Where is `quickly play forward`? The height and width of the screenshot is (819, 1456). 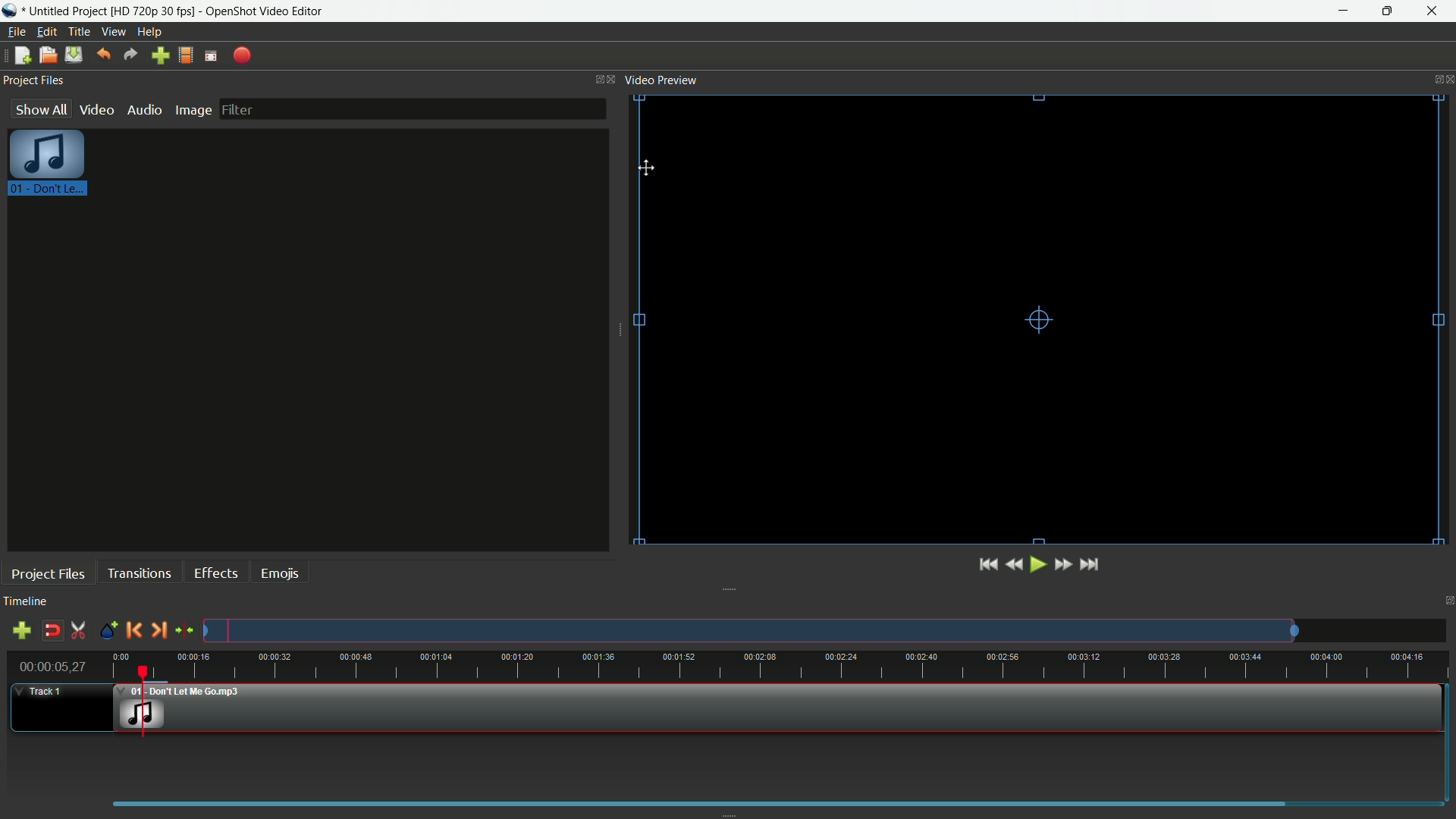 quickly play forward is located at coordinates (1063, 563).